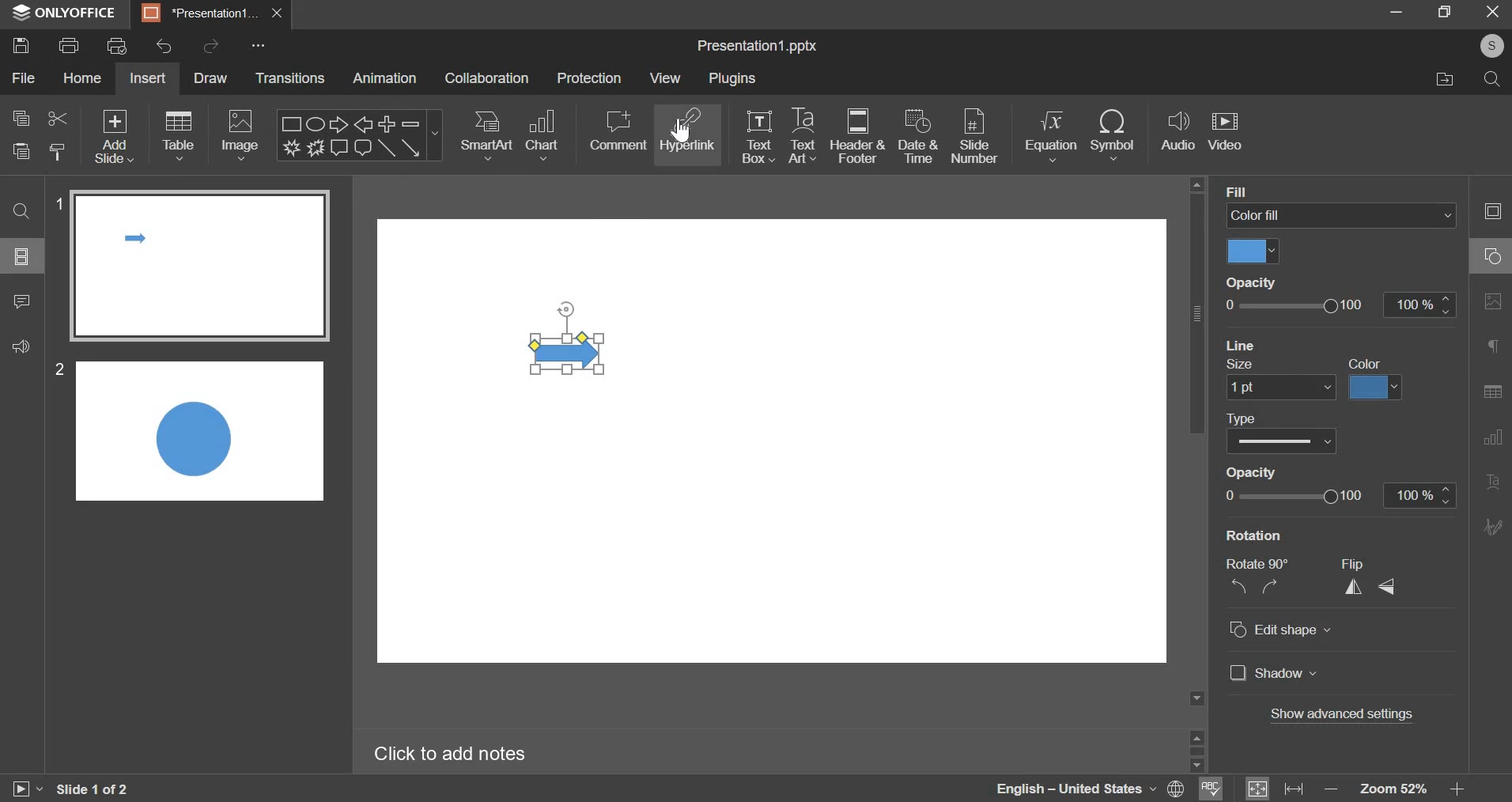 This screenshot has width=1512, height=802. What do you see at coordinates (59, 118) in the screenshot?
I see `cut` at bounding box center [59, 118].